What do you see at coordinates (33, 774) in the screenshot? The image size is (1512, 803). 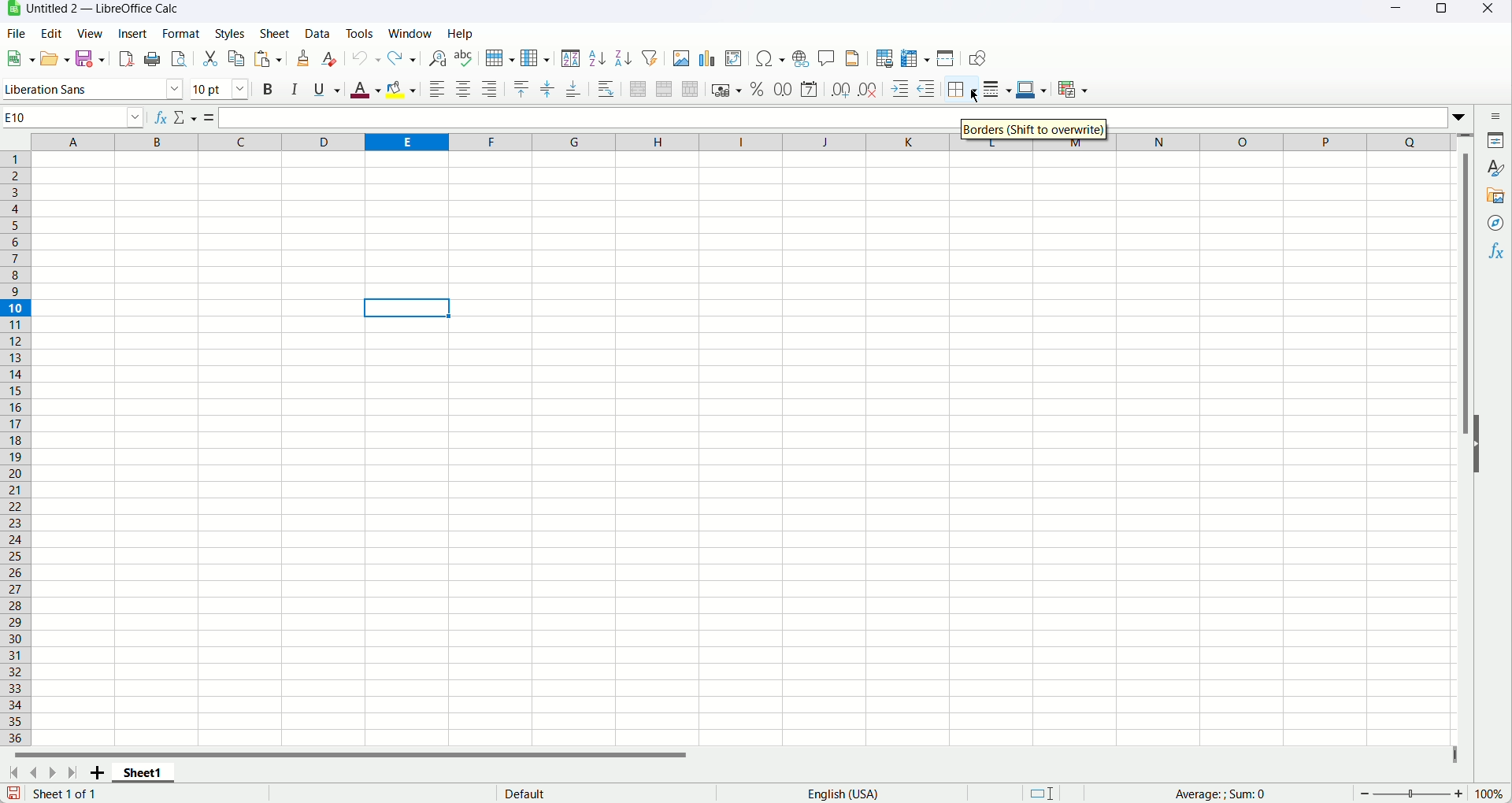 I see `Scroll to previous sheet` at bounding box center [33, 774].